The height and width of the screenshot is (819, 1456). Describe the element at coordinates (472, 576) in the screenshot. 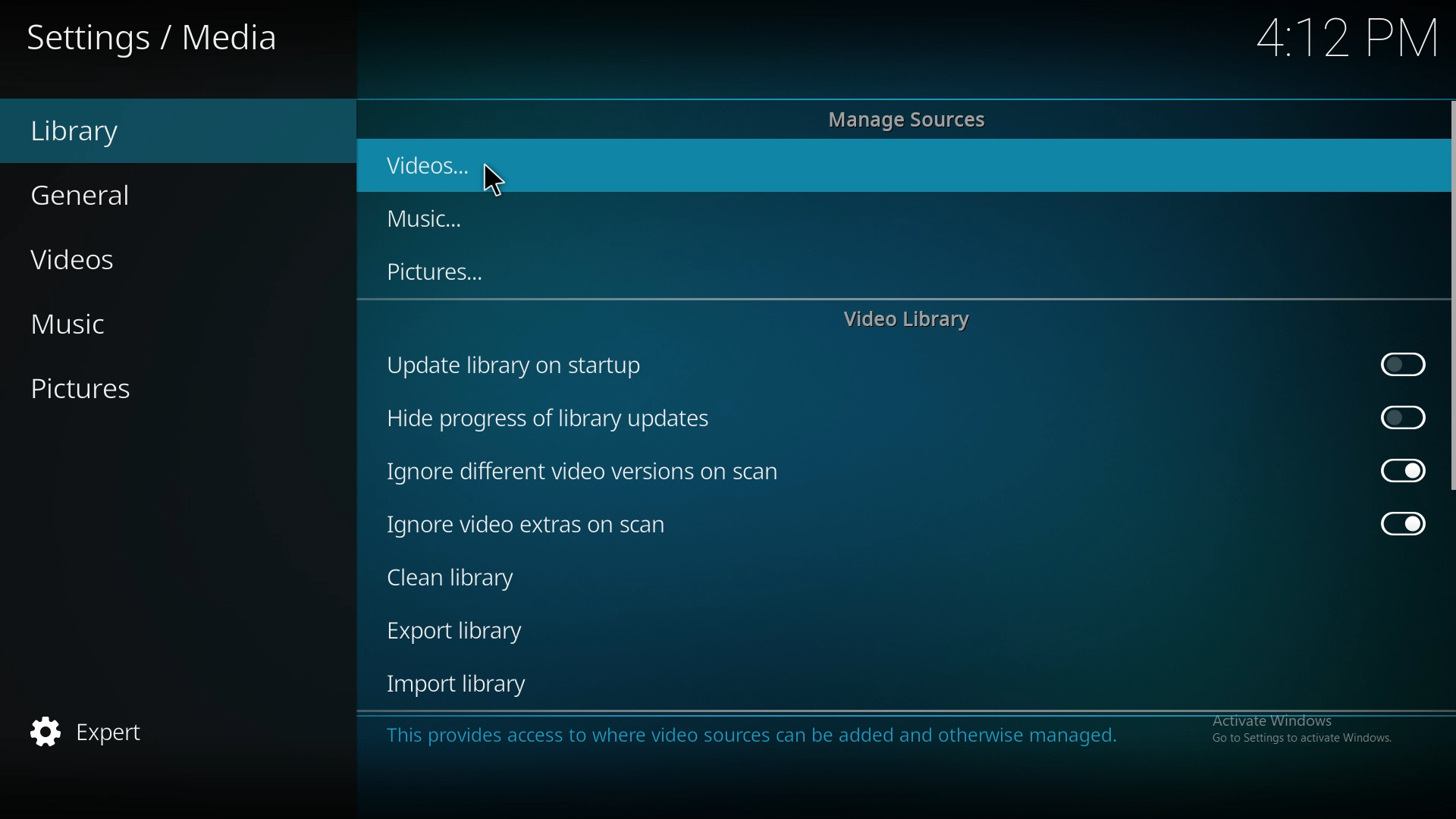

I see `clean library` at that location.